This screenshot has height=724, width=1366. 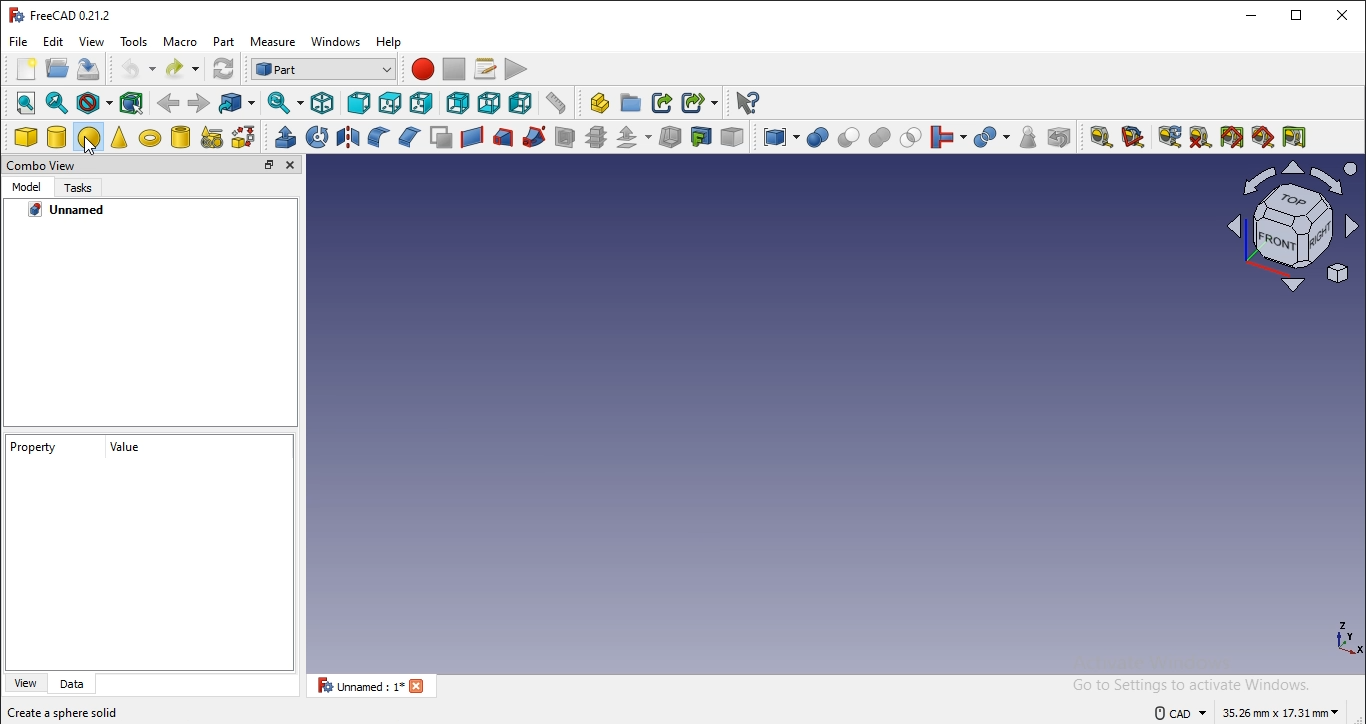 I want to click on unnamed, so click(x=372, y=686).